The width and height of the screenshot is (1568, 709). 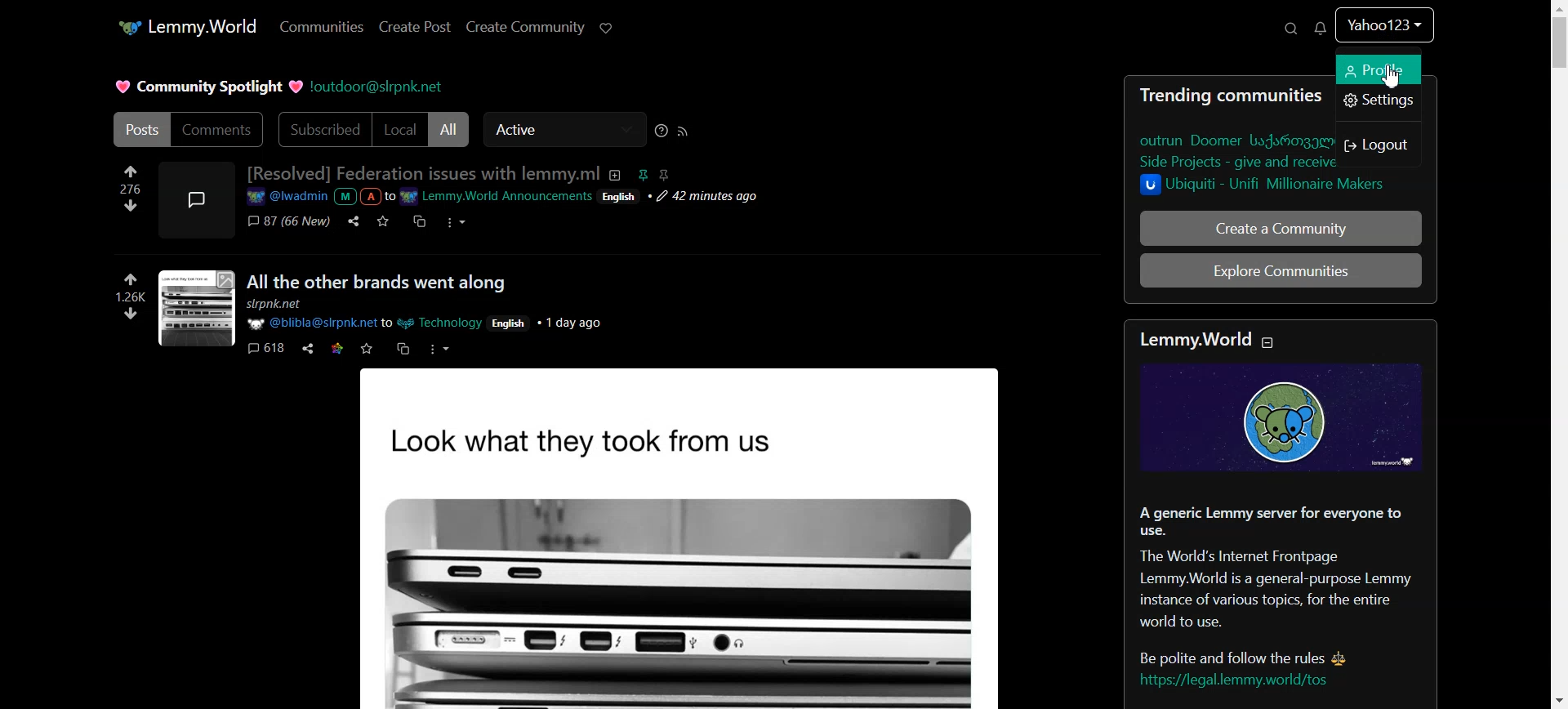 I want to click on username to username, so click(x=365, y=324).